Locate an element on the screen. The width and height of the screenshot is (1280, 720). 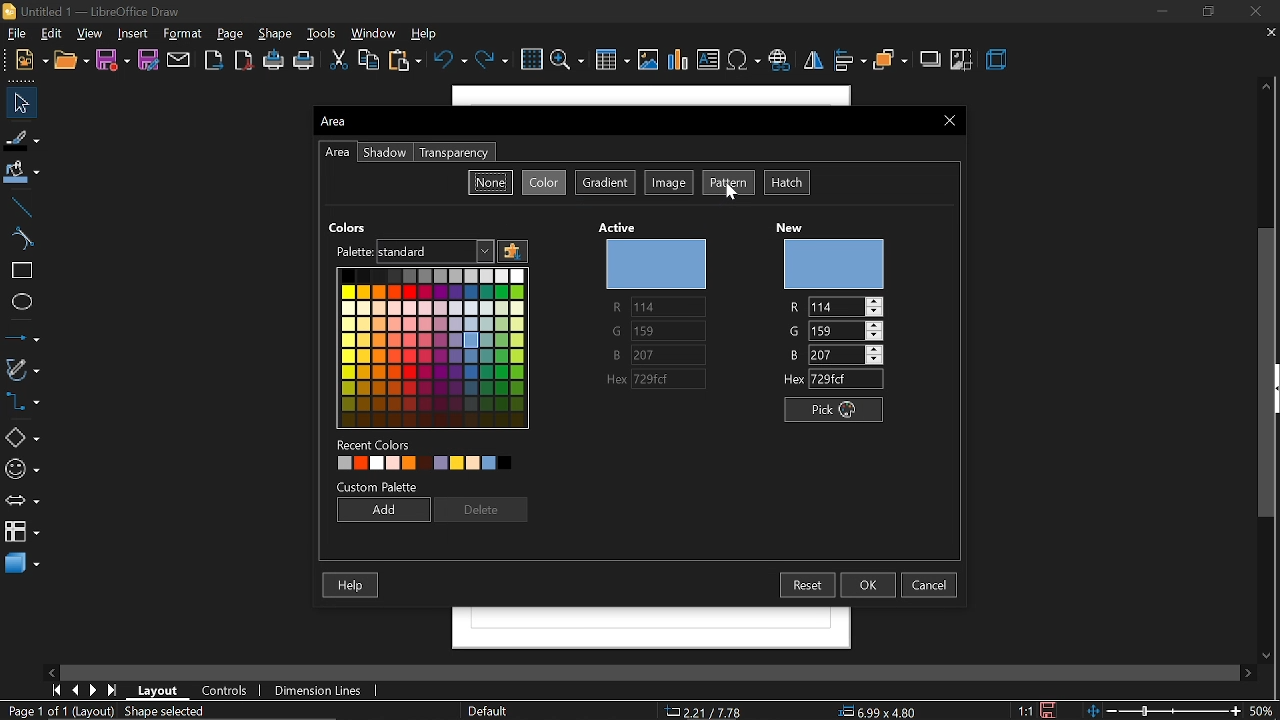
fill color is located at coordinates (22, 172).